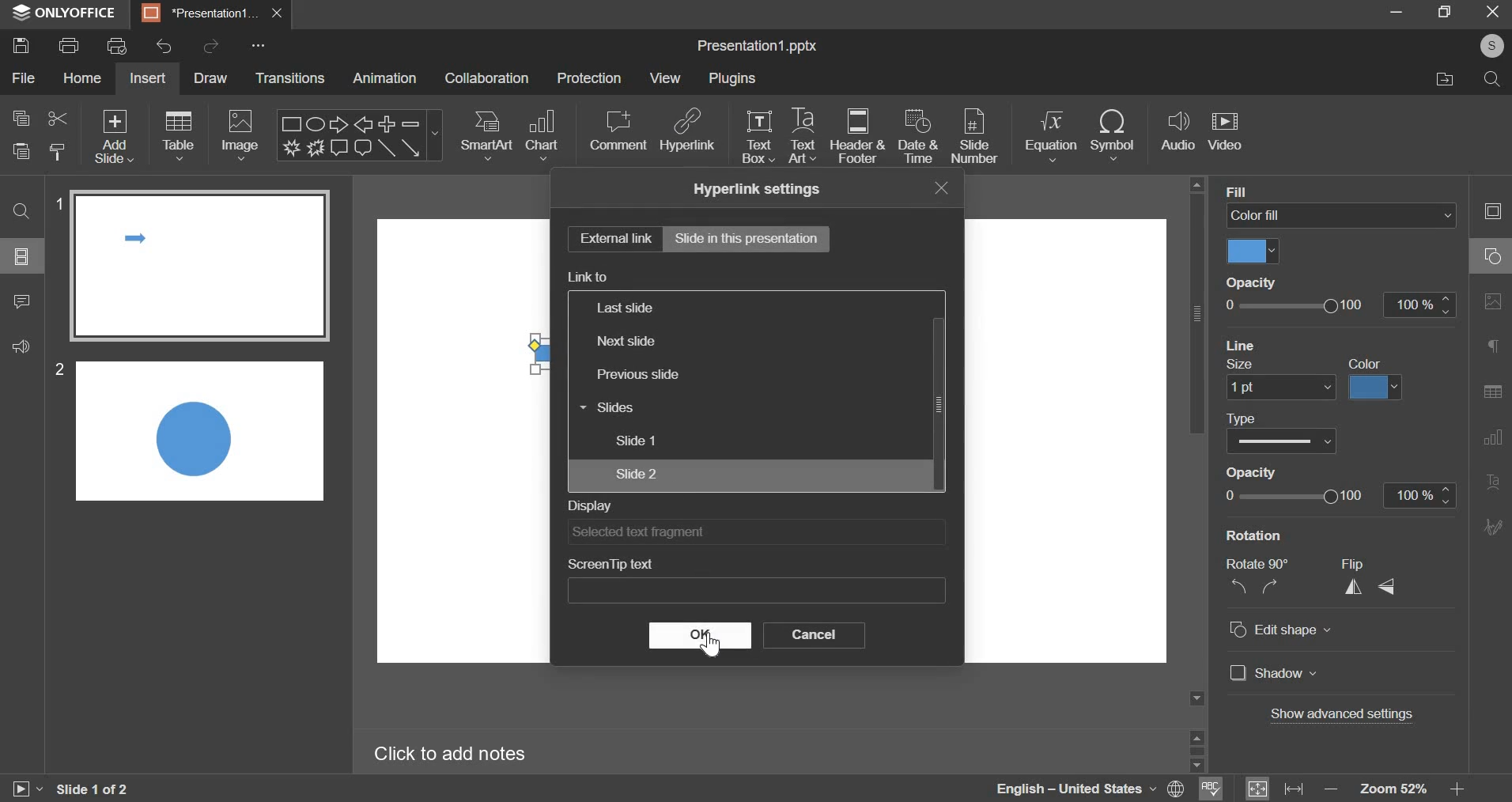 Image resolution: width=1512 pixels, height=802 pixels. I want to click on Plus, so click(387, 123).